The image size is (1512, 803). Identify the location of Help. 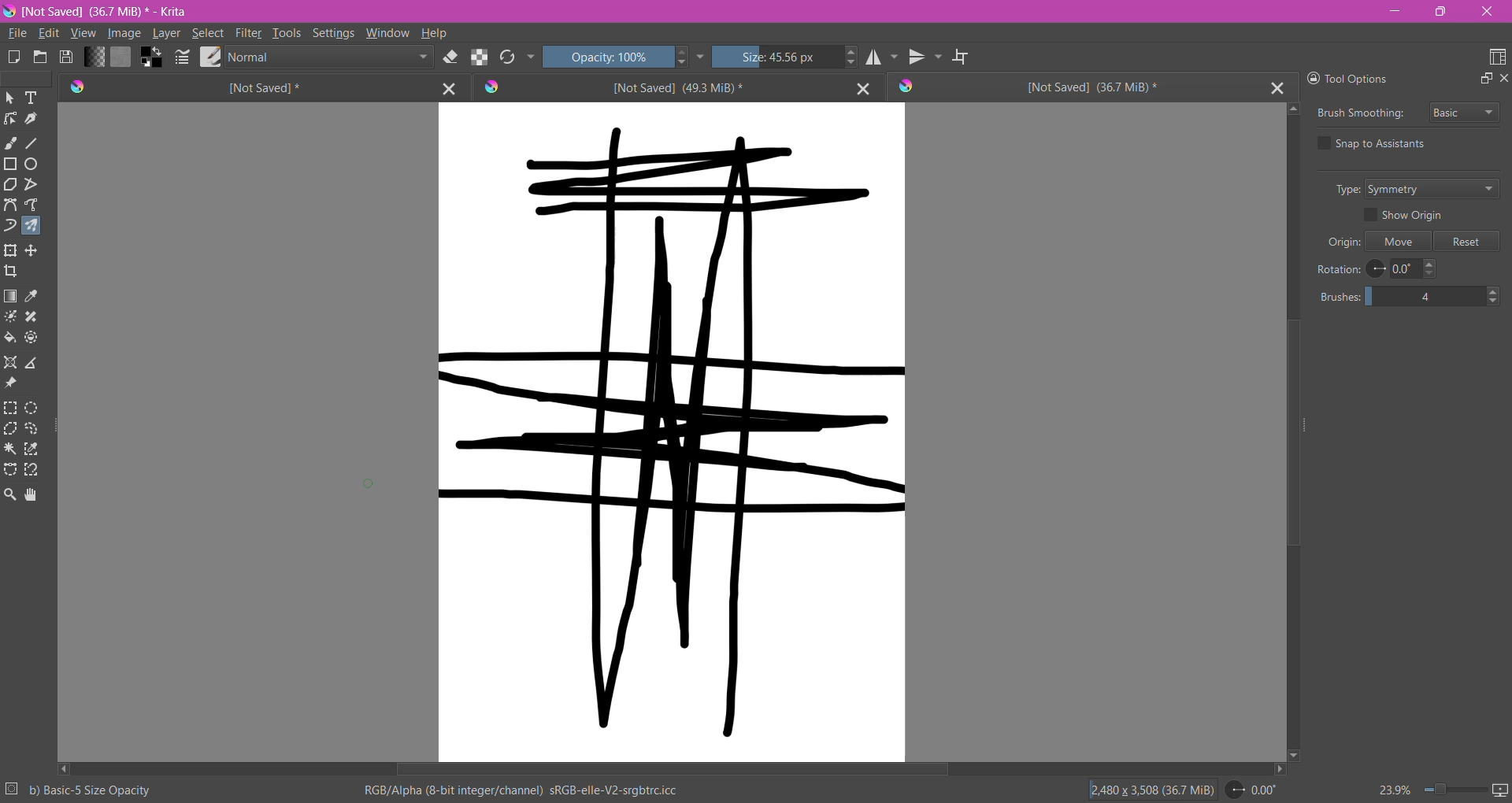
(435, 33).